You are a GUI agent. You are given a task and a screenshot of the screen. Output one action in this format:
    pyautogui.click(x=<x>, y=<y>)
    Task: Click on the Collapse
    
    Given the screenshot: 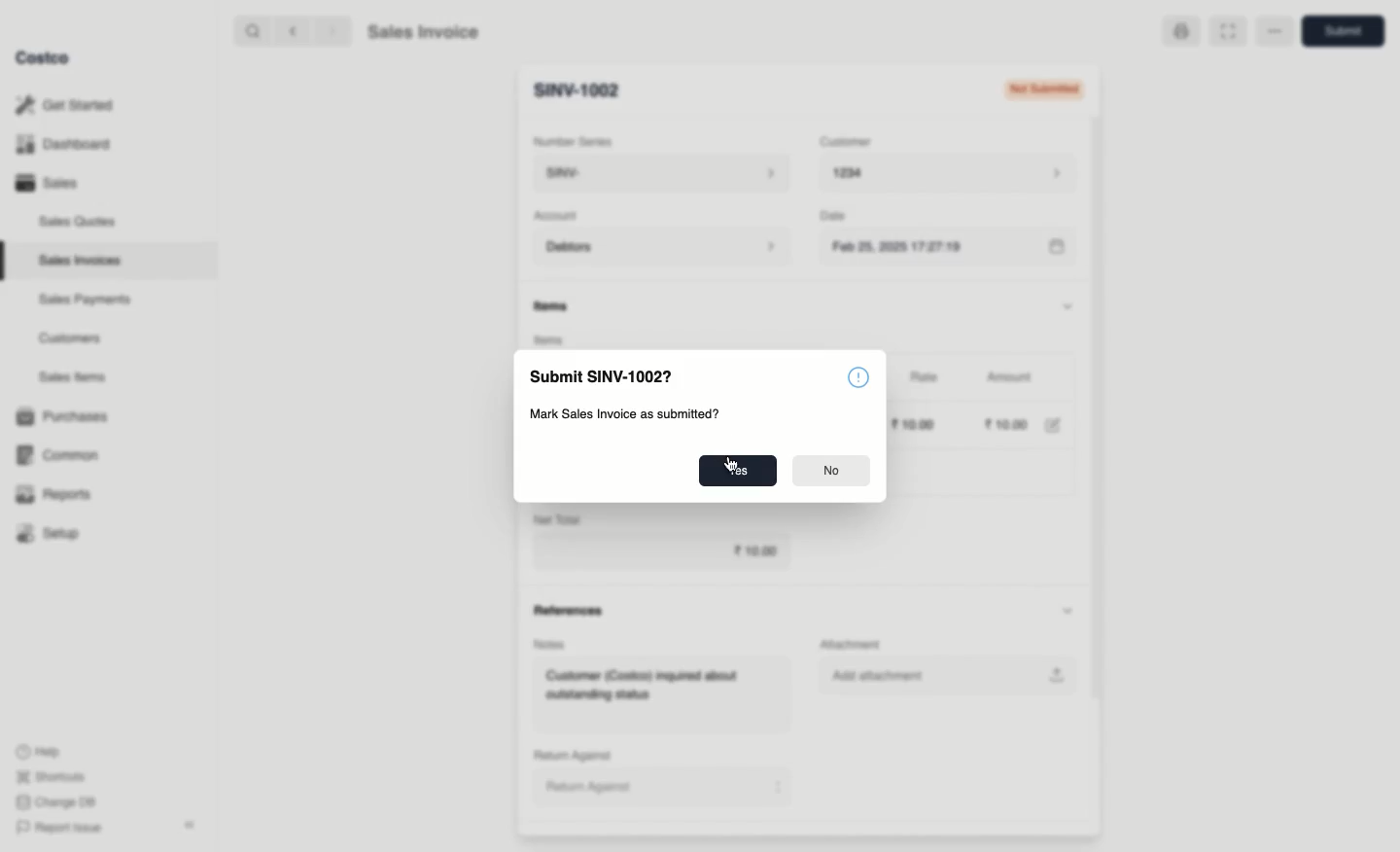 What is the action you would take?
    pyautogui.click(x=189, y=825)
    